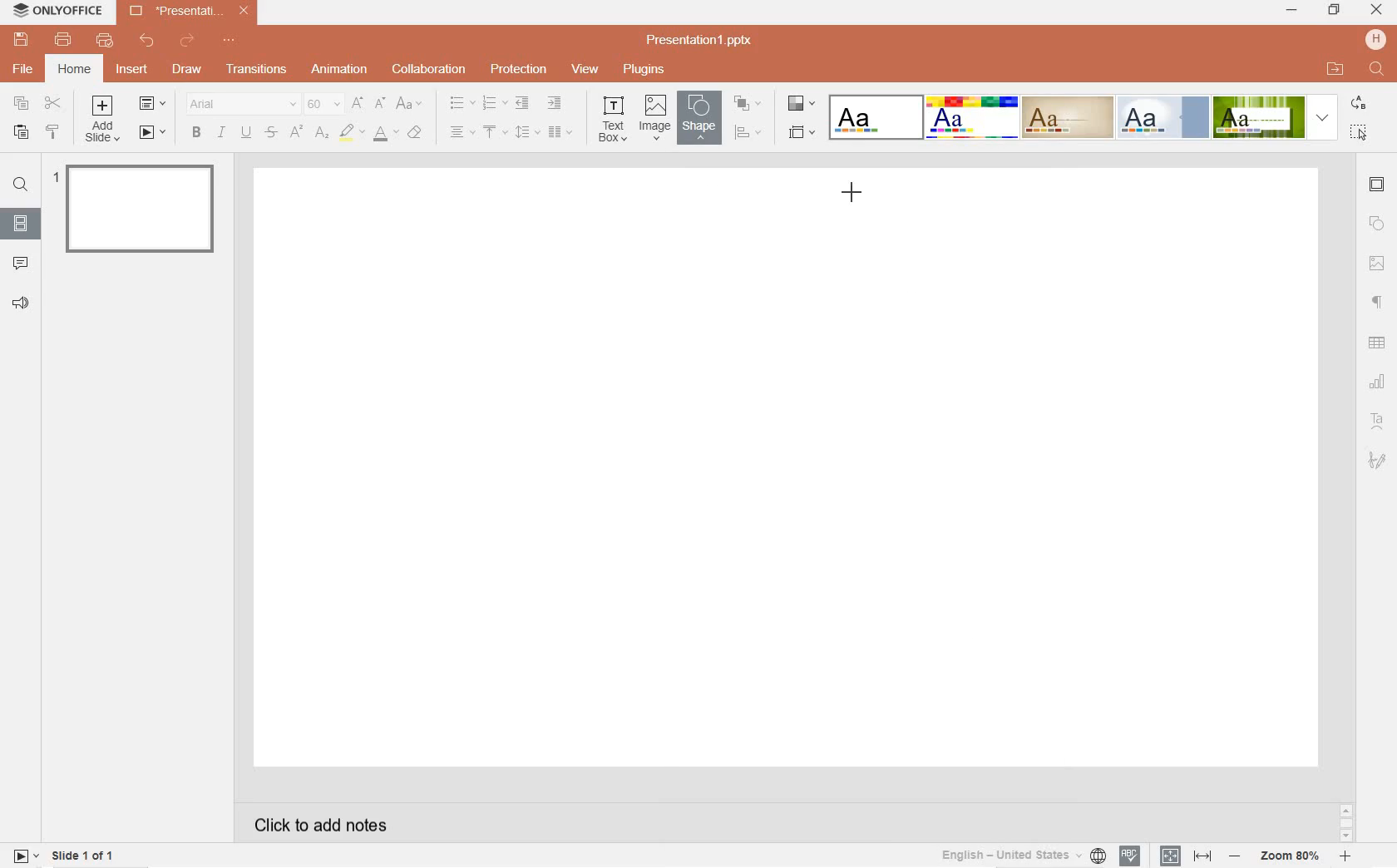 This screenshot has height=868, width=1397. Describe the element at coordinates (1129, 856) in the screenshot. I see `spell checking` at that location.